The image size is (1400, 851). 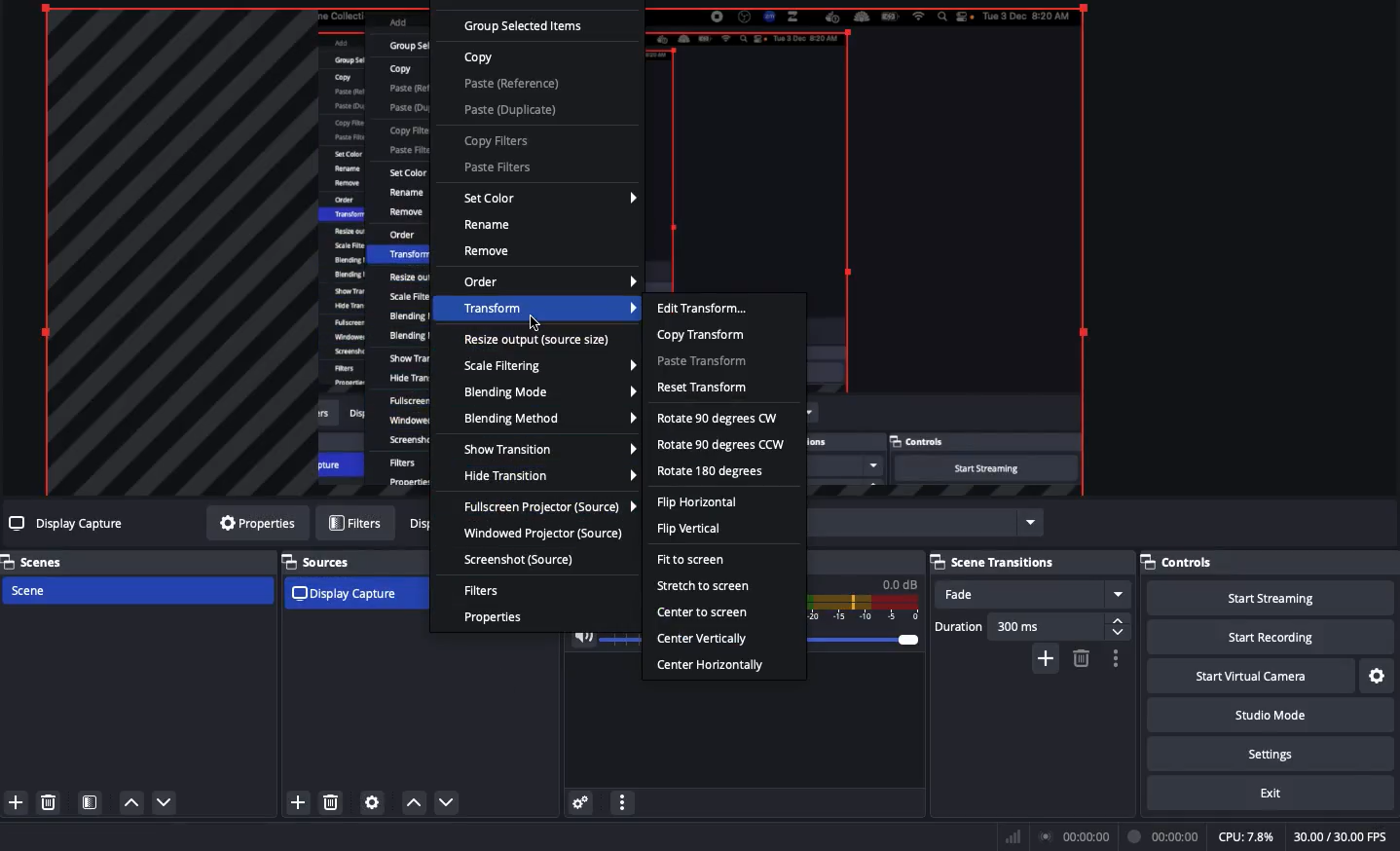 What do you see at coordinates (546, 508) in the screenshot?
I see `Fullscreen projector` at bounding box center [546, 508].